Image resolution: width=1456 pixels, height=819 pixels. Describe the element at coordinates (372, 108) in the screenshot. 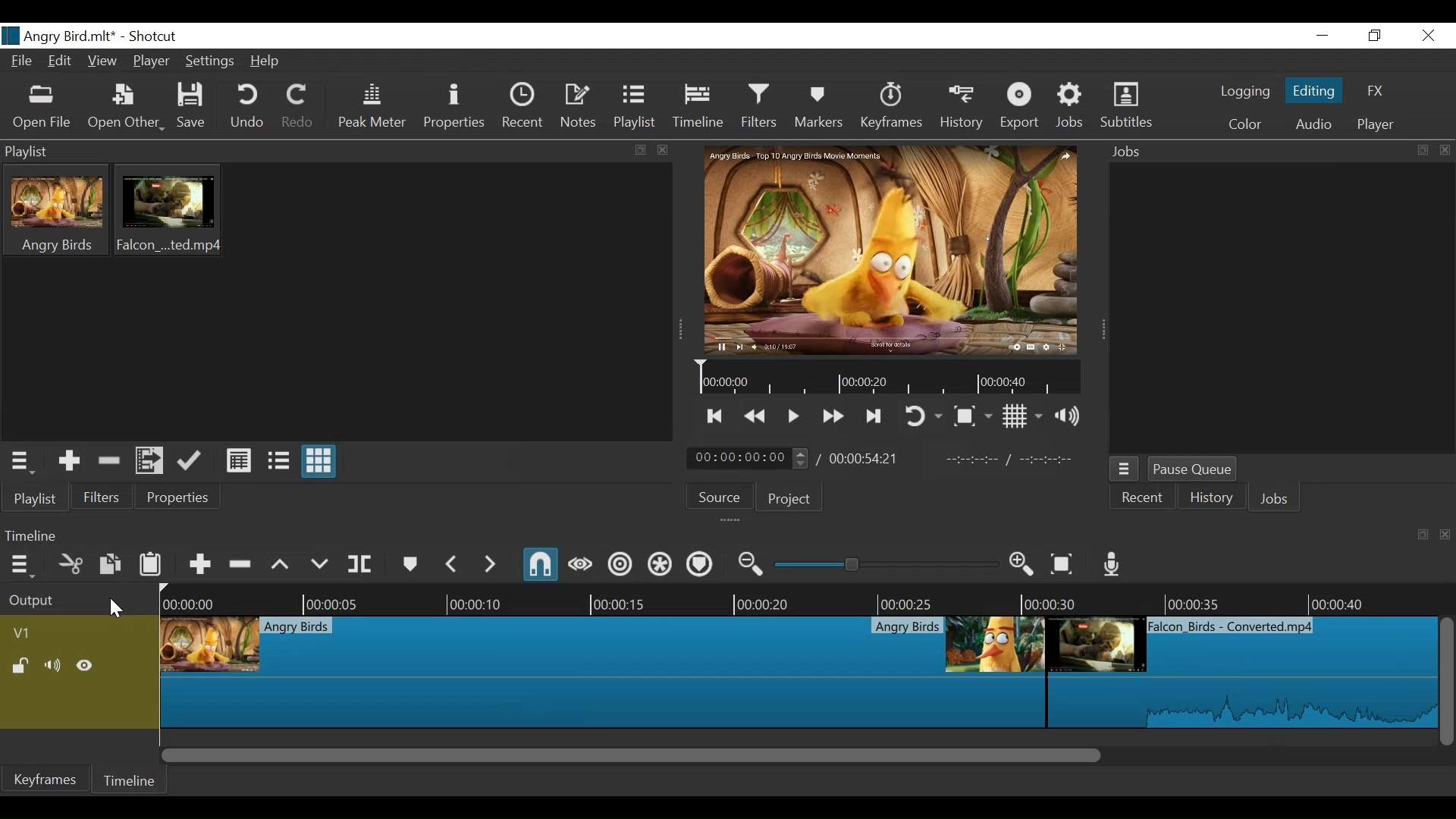

I see `Peak Meter` at that location.